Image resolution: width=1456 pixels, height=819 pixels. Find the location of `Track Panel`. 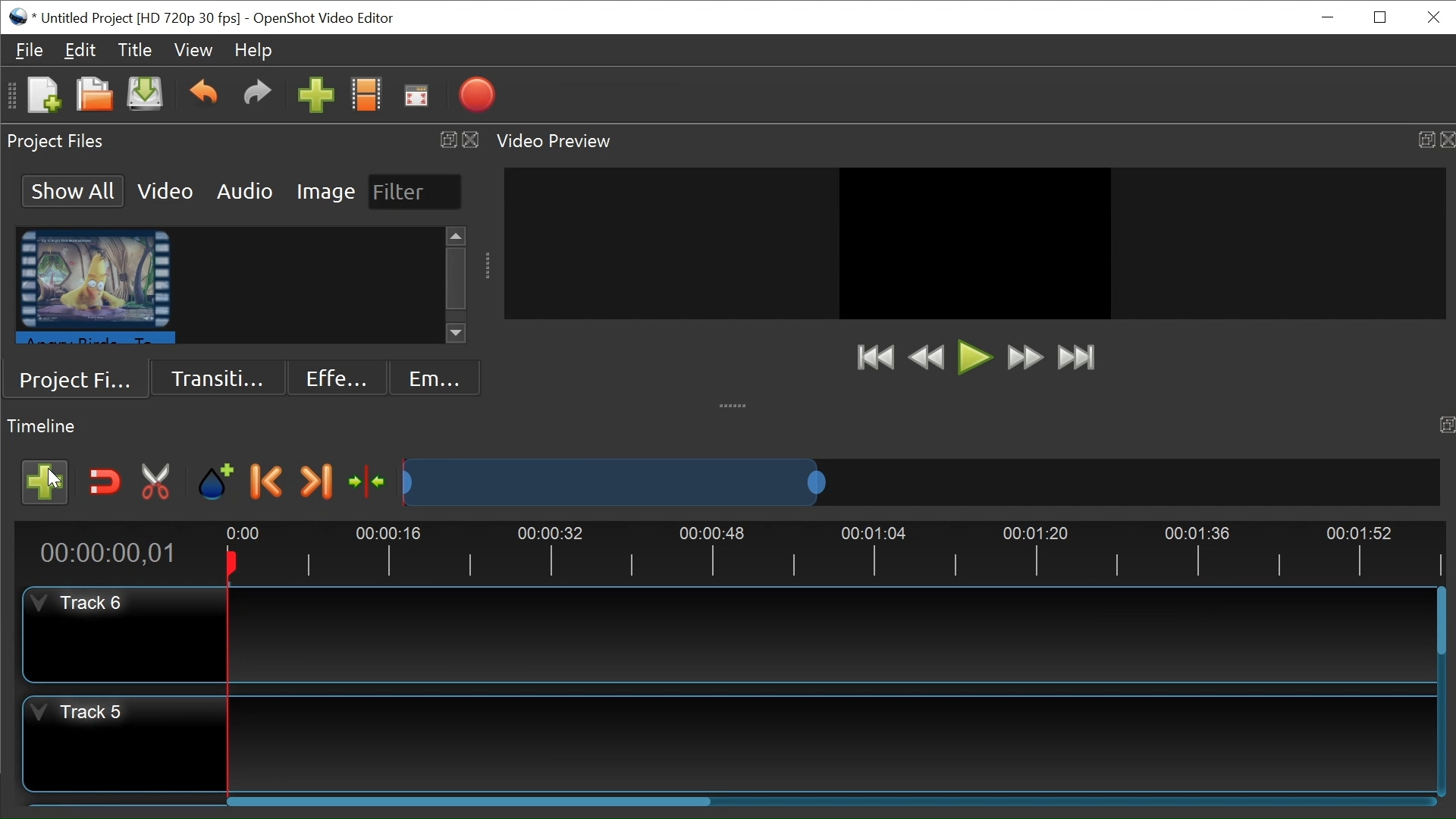

Track Panel is located at coordinates (829, 635).